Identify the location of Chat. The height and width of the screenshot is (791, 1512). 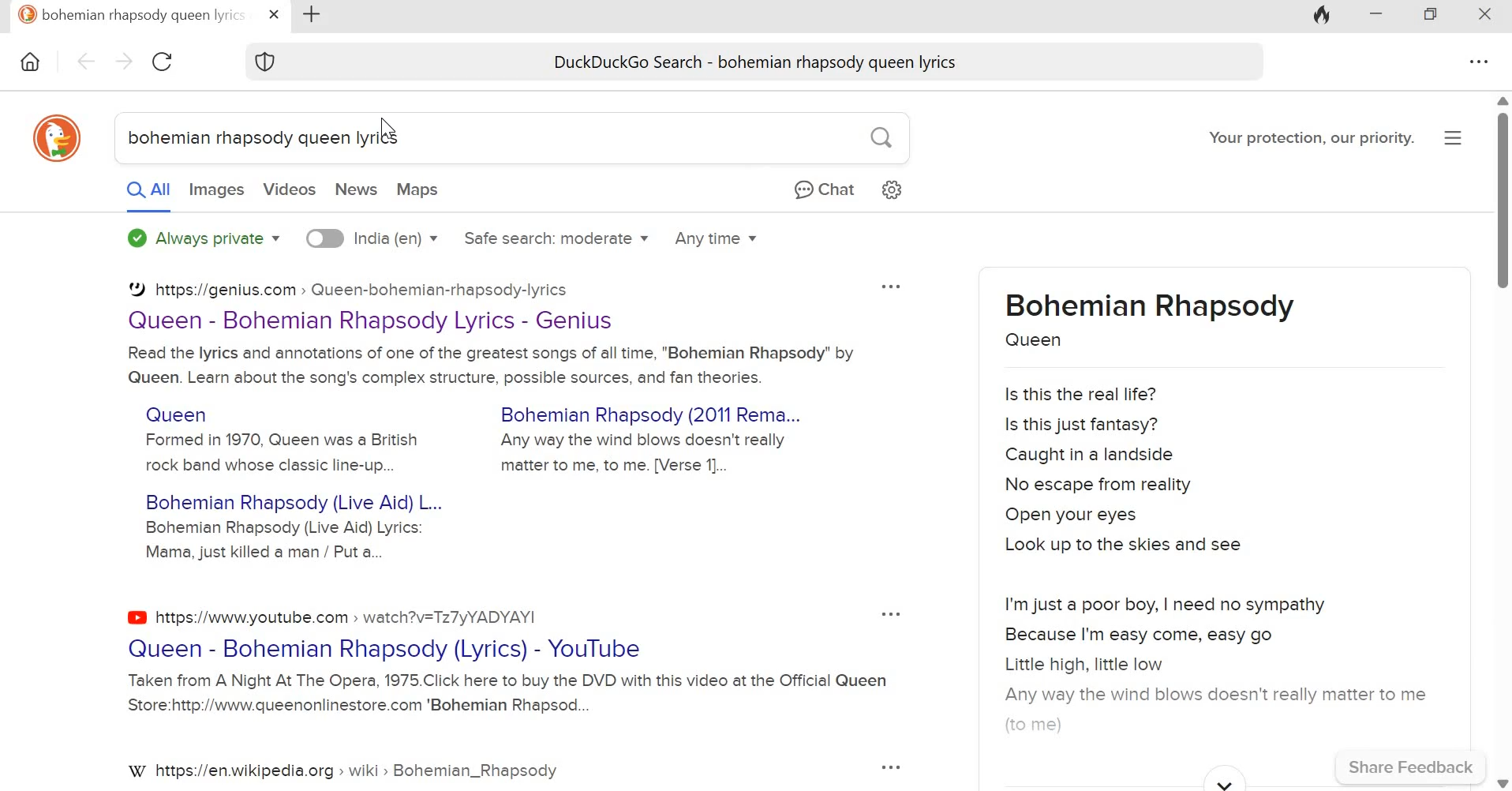
(825, 190).